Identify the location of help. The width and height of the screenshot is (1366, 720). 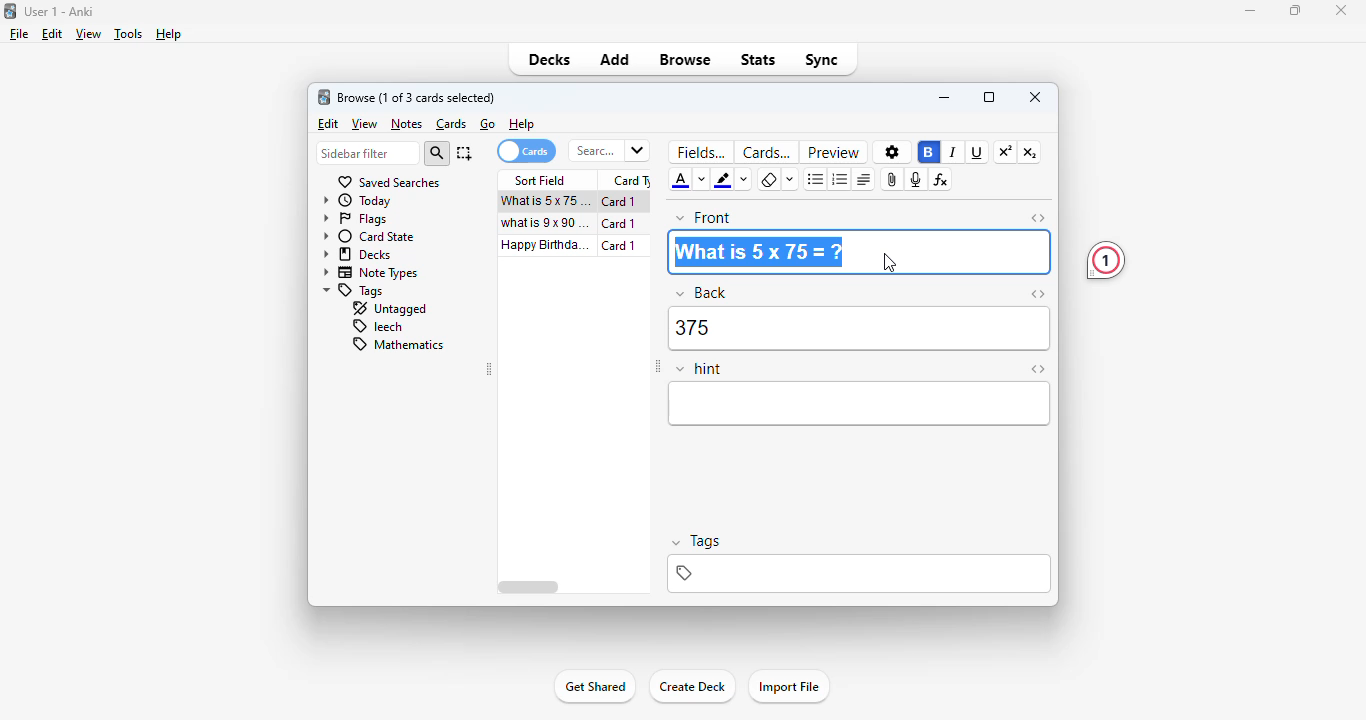
(169, 35).